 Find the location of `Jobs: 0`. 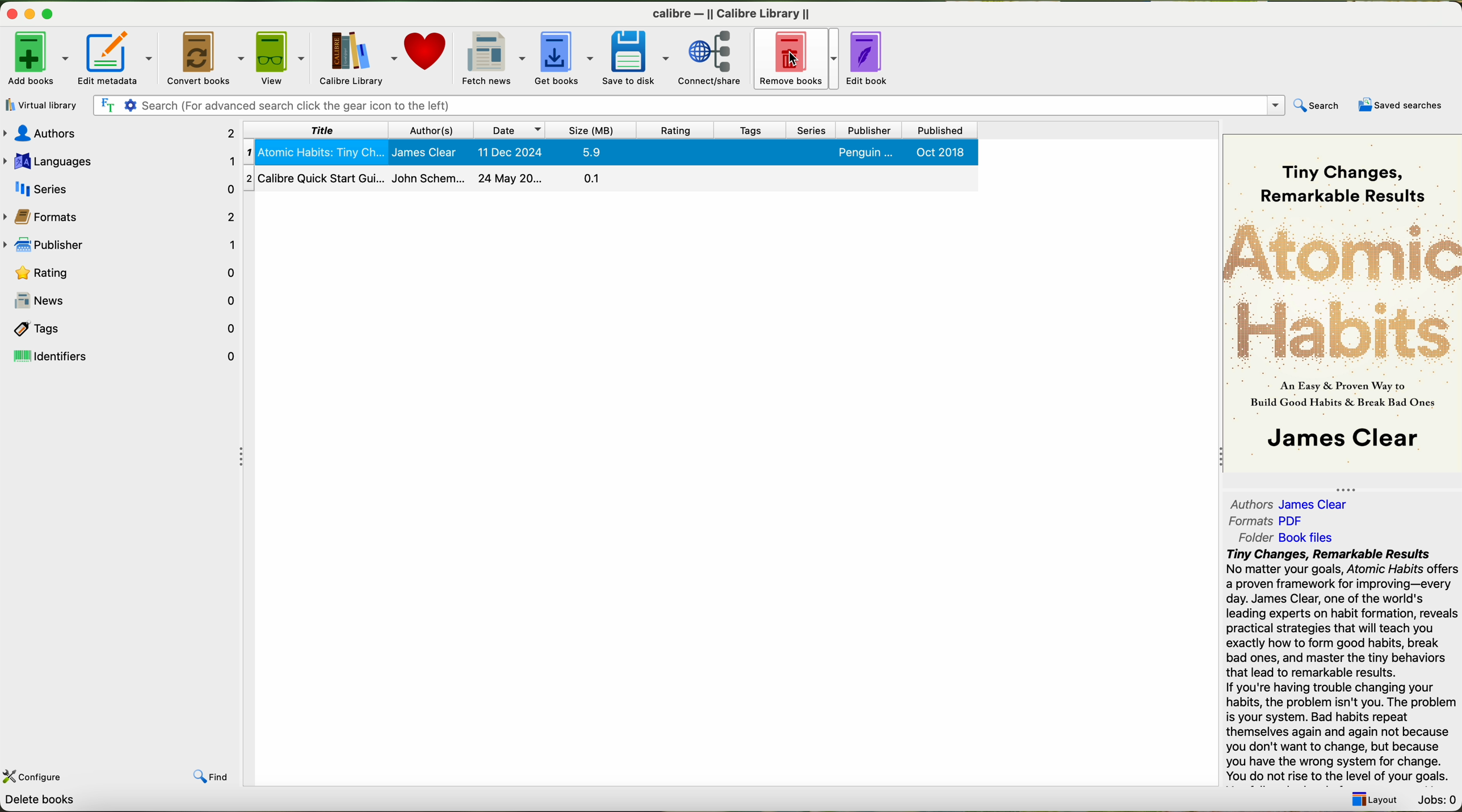

Jobs: 0 is located at coordinates (1439, 800).